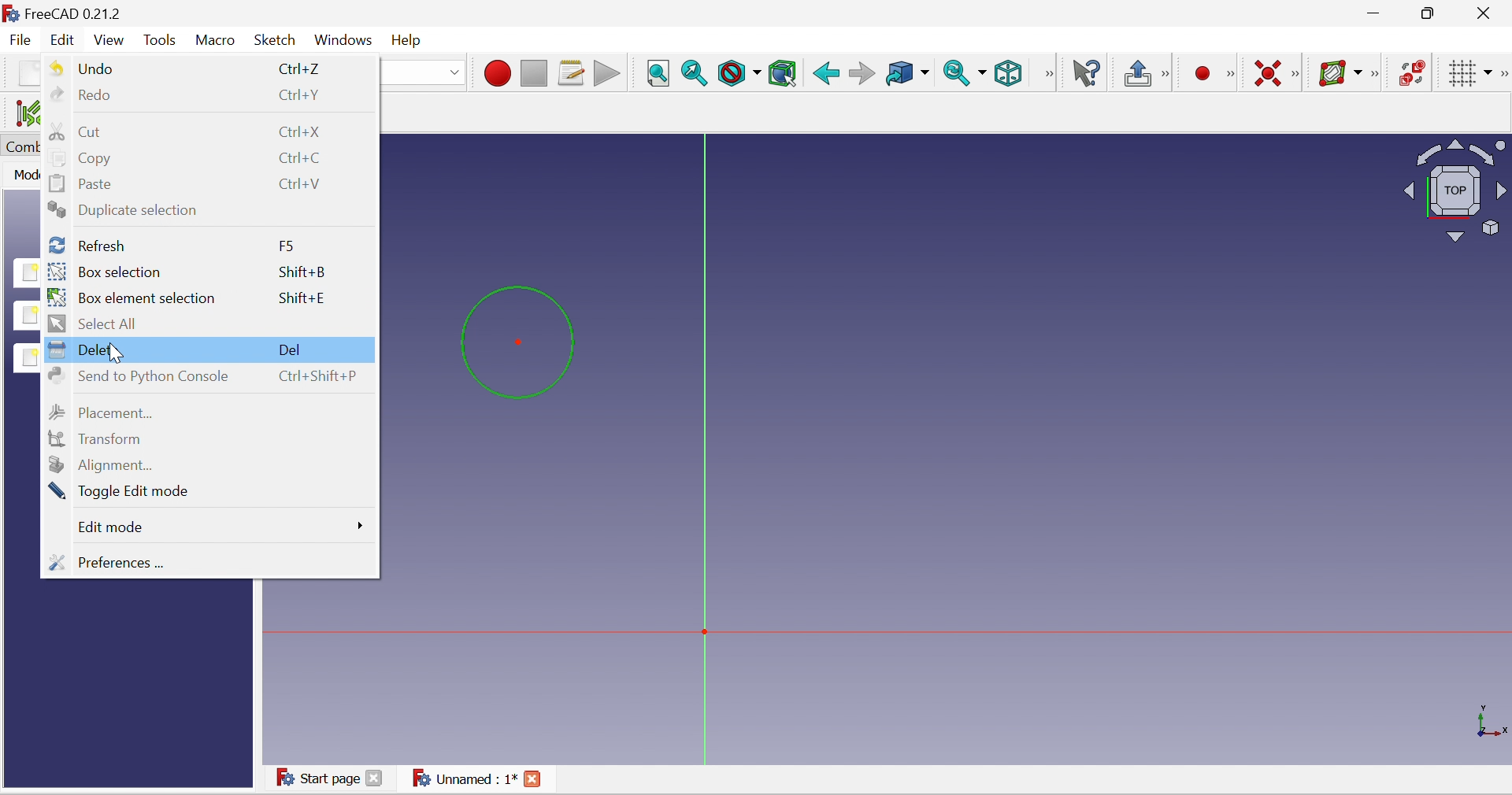 The height and width of the screenshot is (795, 1512). Describe the element at coordinates (317, 376) in the screenshot. I see `Ctrl+Shift+P` at that location.